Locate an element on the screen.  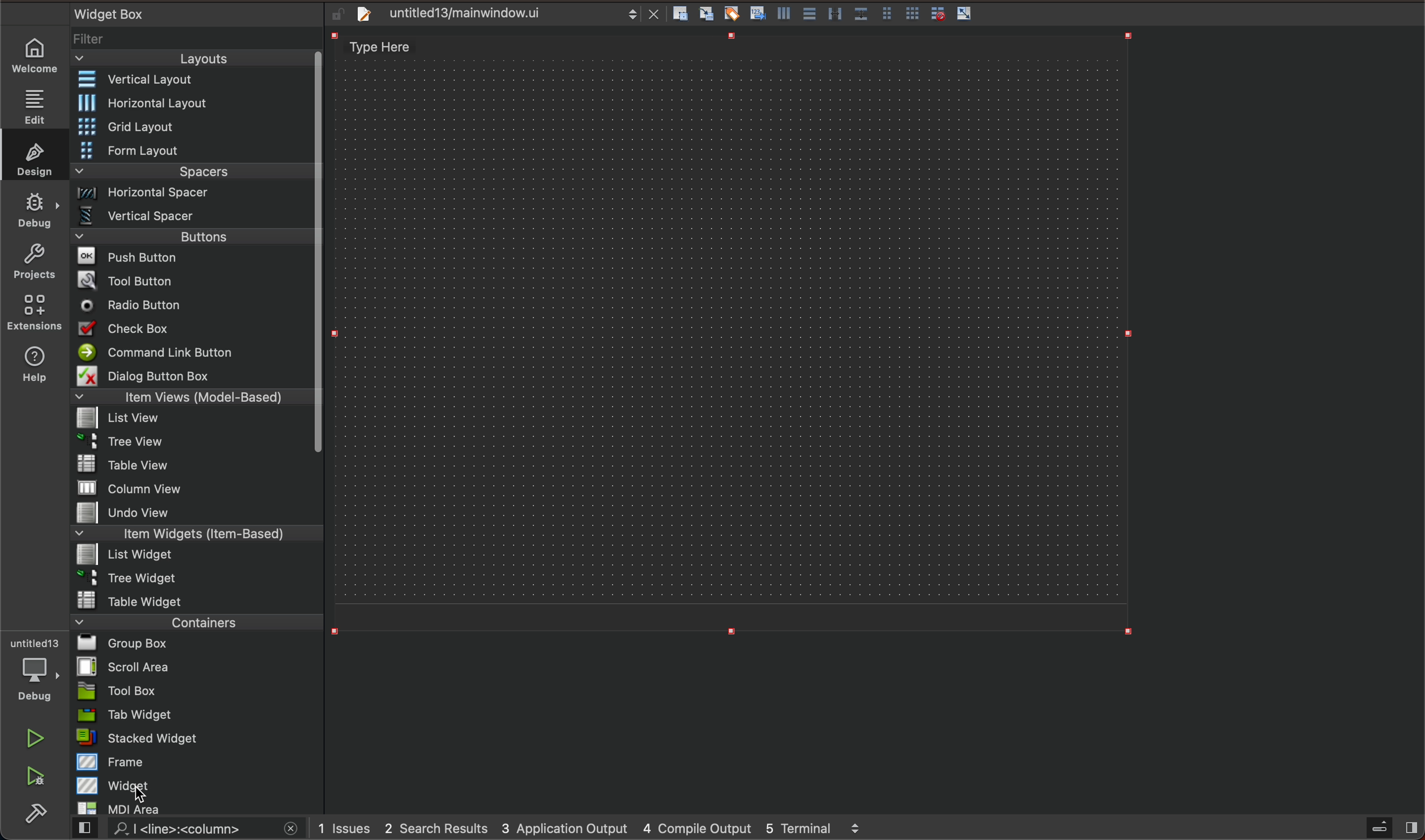
tree widget is located at coordinates (193, 578).